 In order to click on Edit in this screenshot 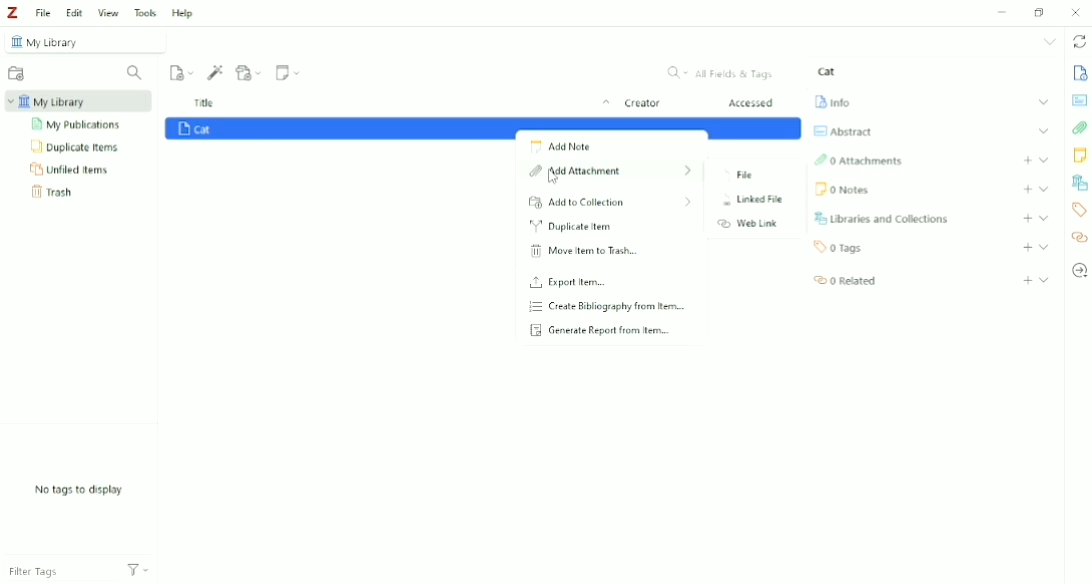, I will do `click(74, 13)`.